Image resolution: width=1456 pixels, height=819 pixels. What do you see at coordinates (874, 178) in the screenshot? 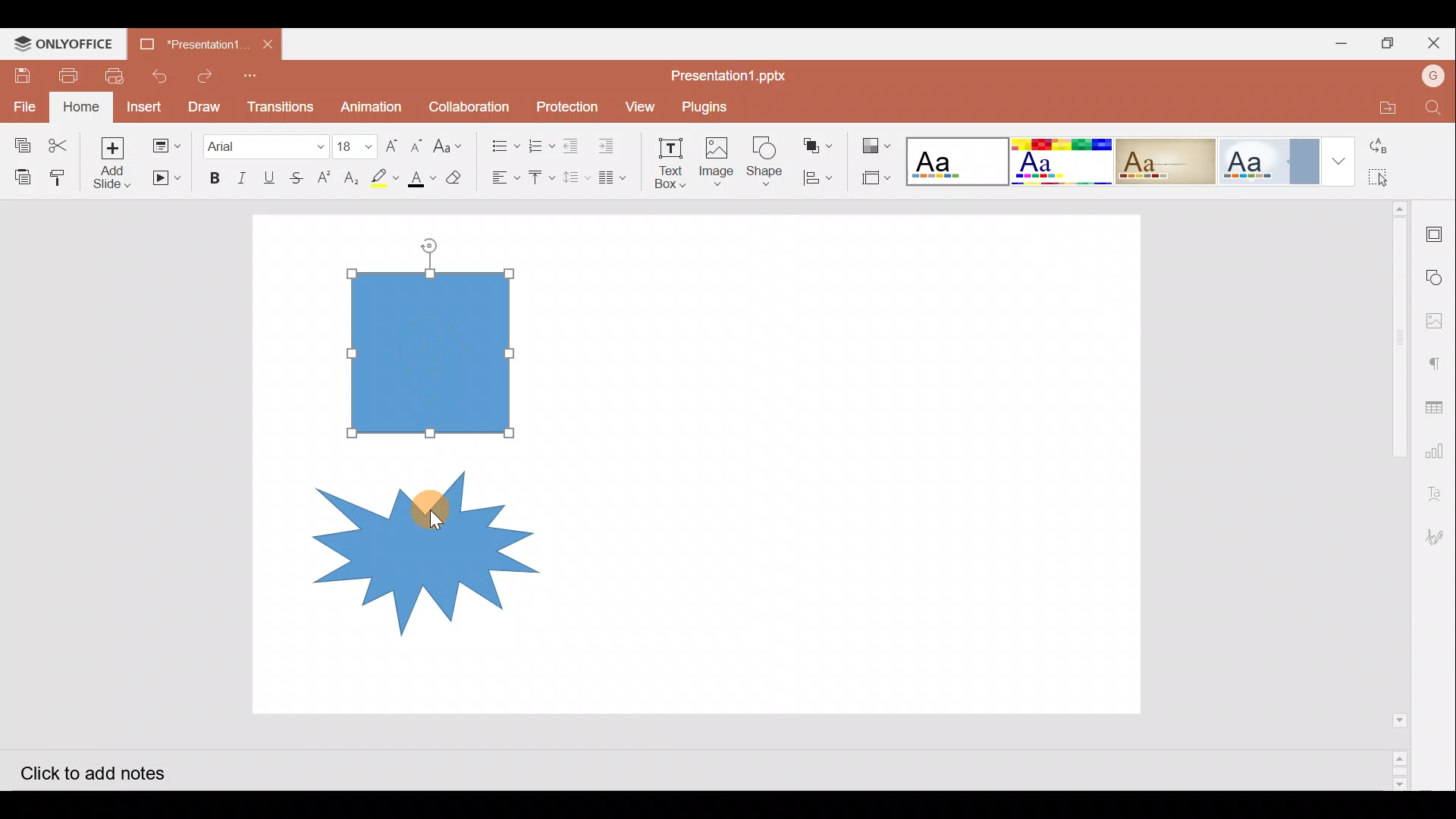
I see `Select slide size` at bounding box center [874, 178].